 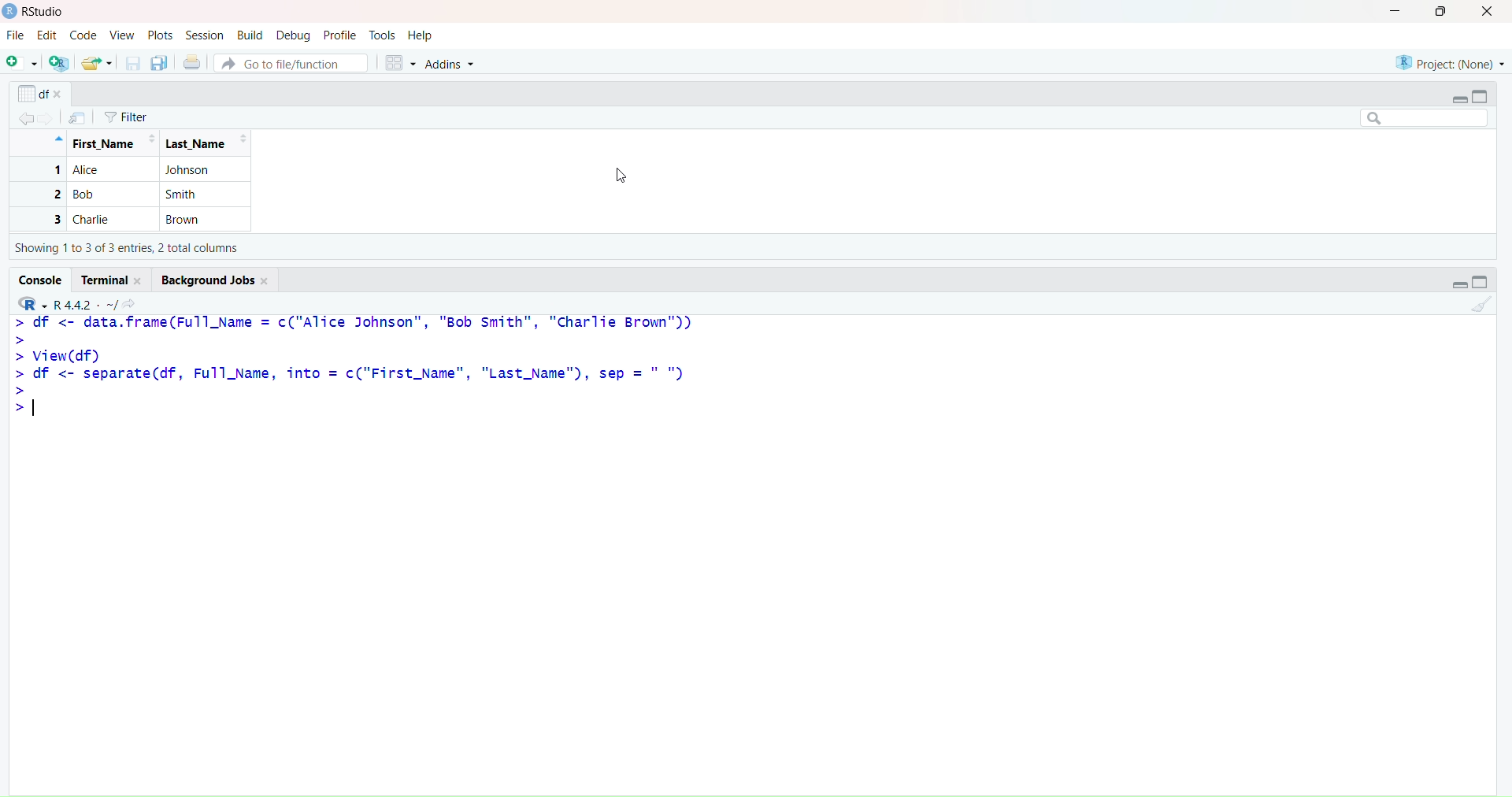 I want to click on Go forward to the next source location (Ctrl + F10), so click(x=50, y=114).